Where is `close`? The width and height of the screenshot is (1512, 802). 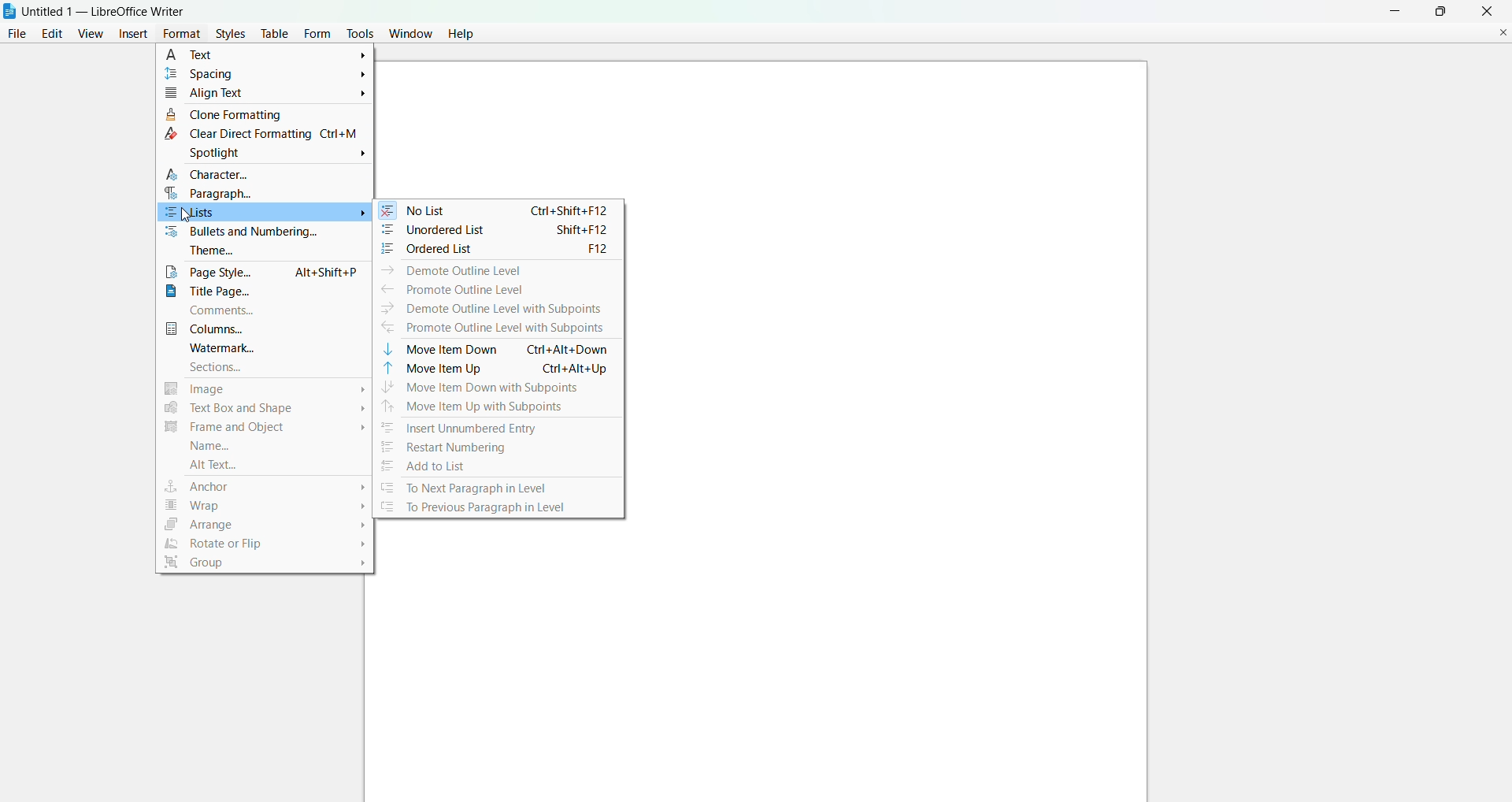 close is located at coordinates (1486, 11).